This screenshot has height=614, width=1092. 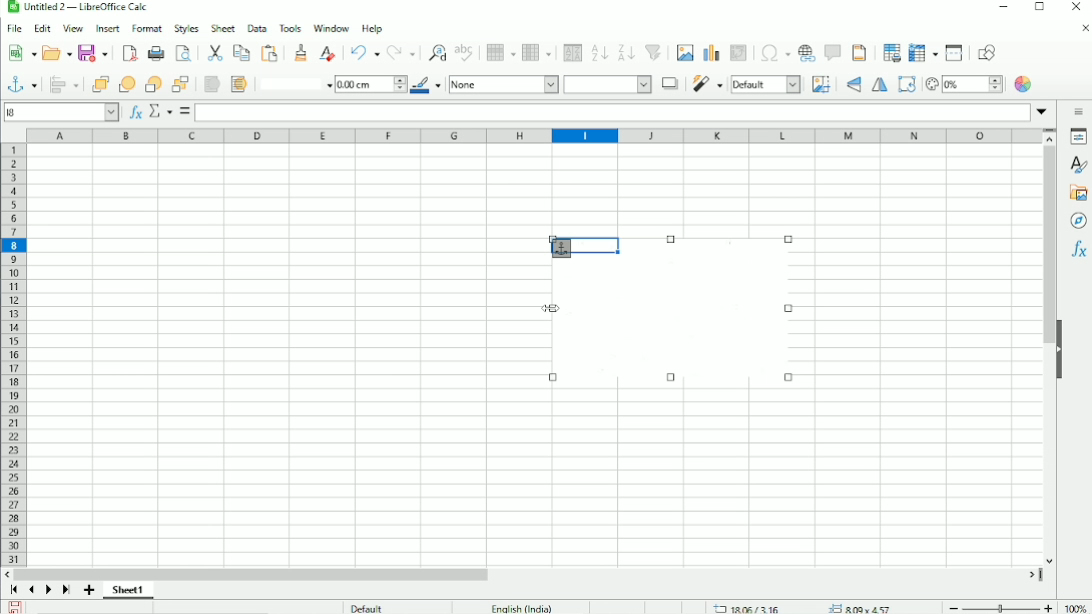 What do you see at coordinates (465, 52) in the screenshot?
I see `Spell check` at bounding box center [465, 52].